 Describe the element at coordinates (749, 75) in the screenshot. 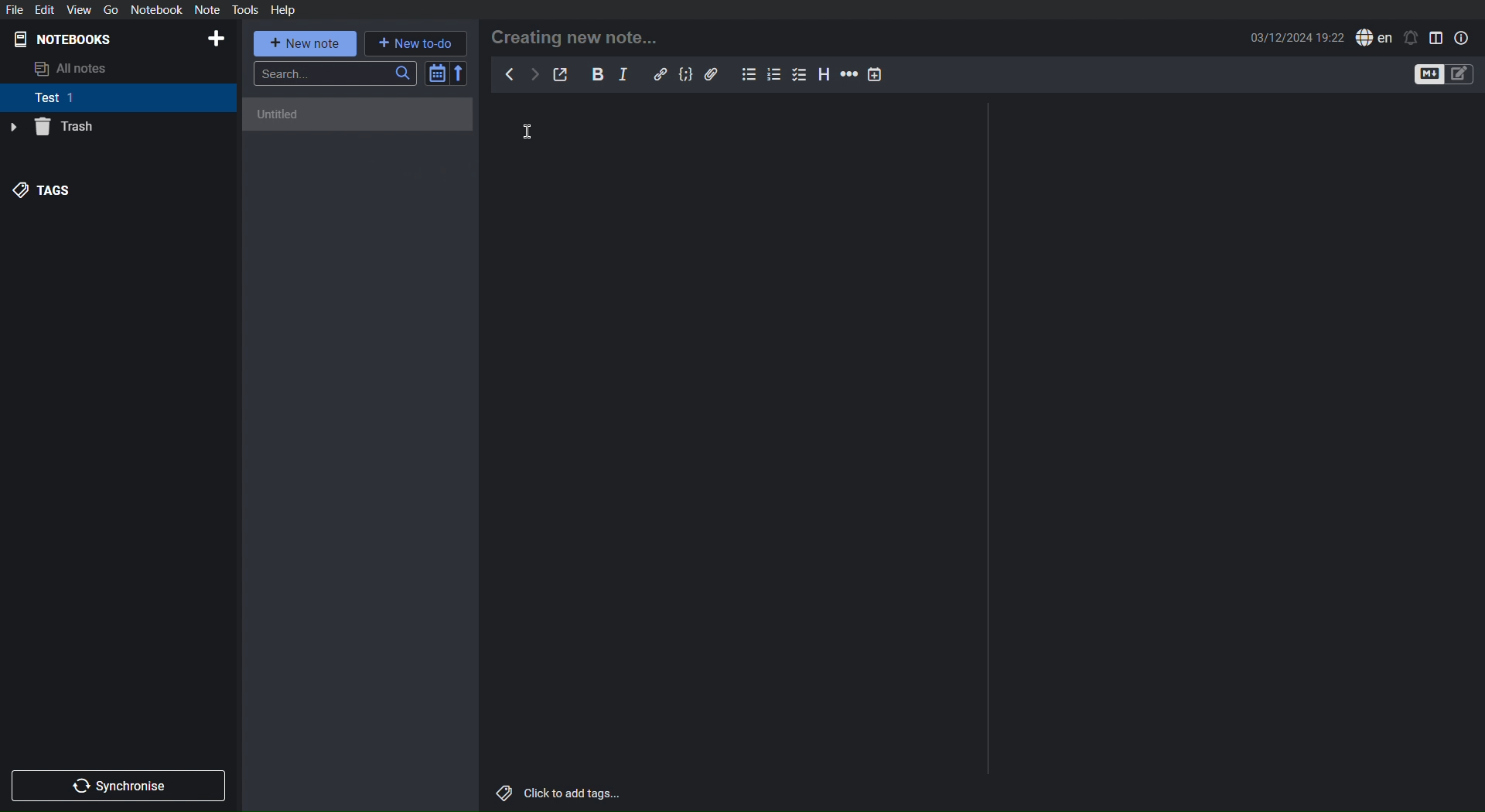

I see `Bullet List` at that location.